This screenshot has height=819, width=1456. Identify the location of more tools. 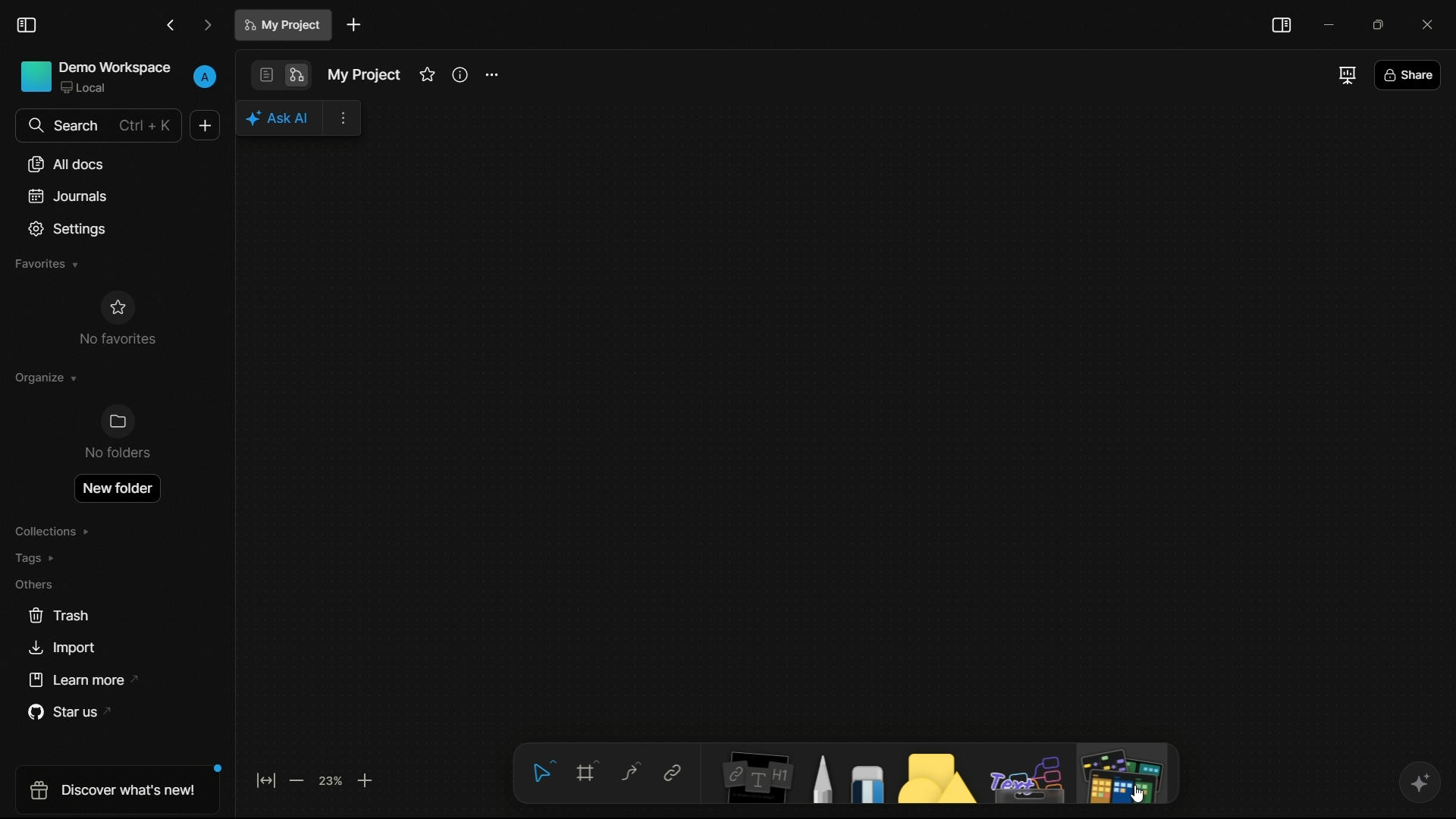
(1121, 774).